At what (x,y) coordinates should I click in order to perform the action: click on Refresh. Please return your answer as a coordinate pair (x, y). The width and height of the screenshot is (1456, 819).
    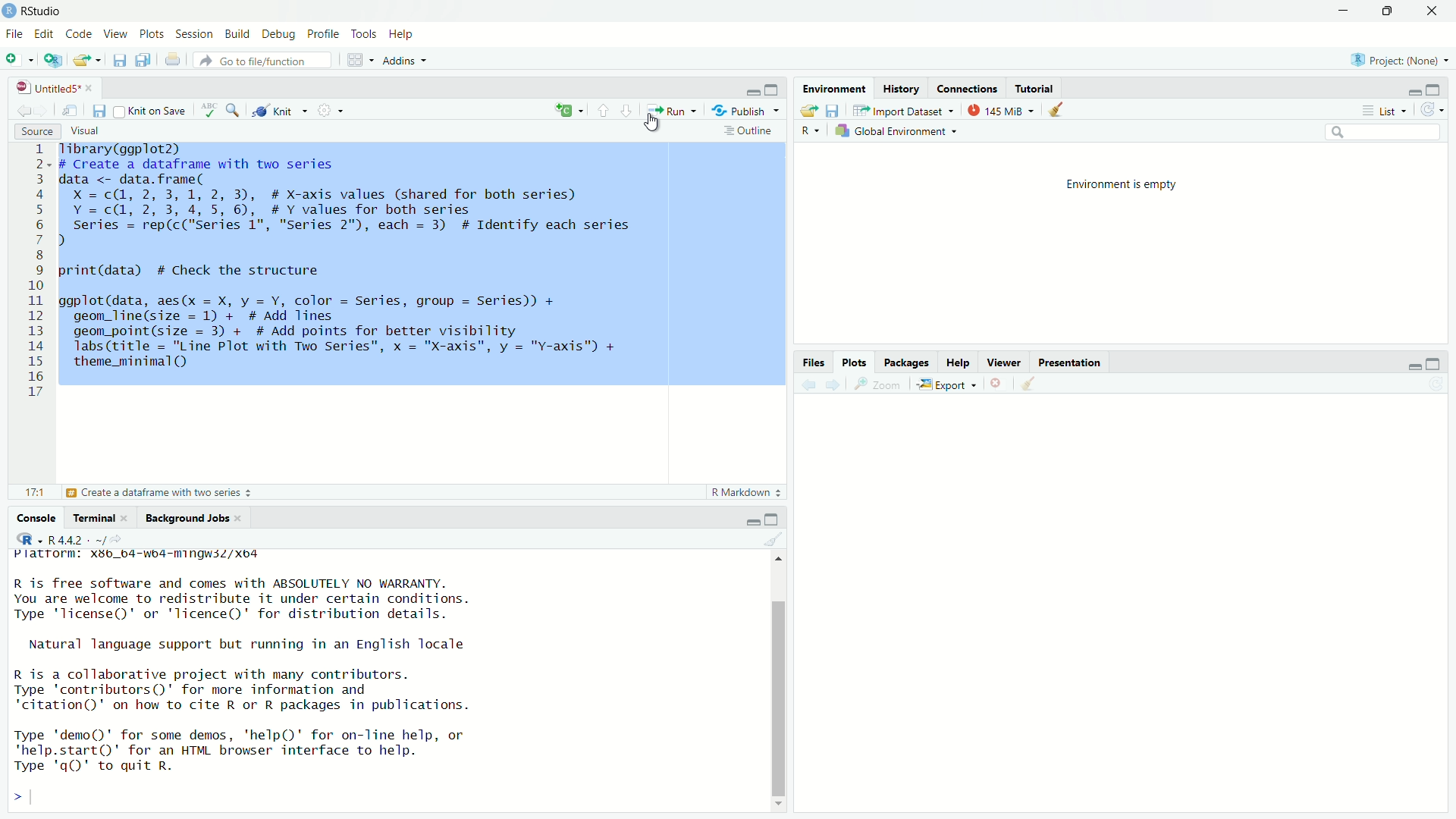
    Looking at the image, I should click on (1435, 386).